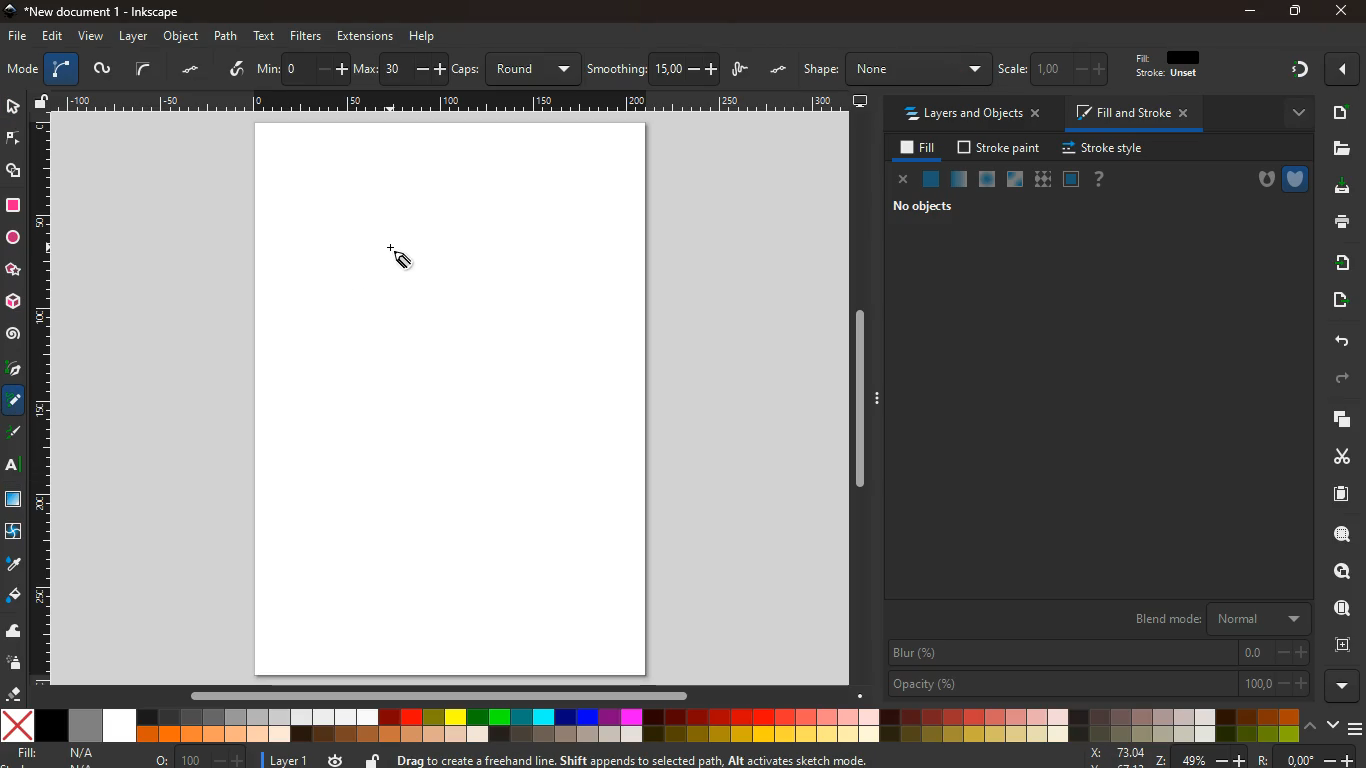  What do you see at coordinates (1260, 182) in the screenshot?
I see `hole` at bounding box center [1260, 182].